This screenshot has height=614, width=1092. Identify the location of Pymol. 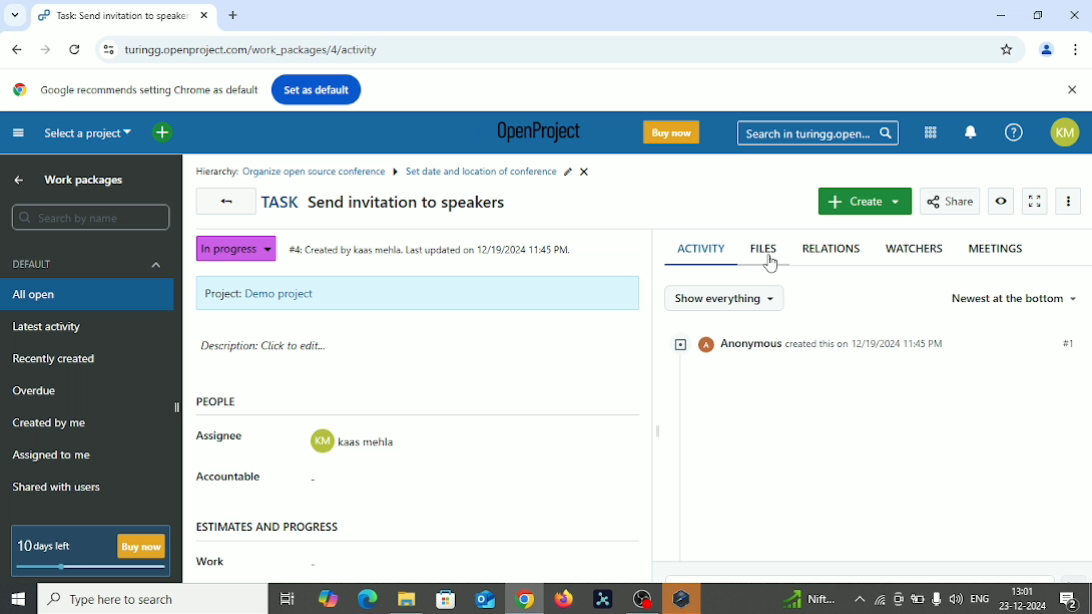
(603, 600).